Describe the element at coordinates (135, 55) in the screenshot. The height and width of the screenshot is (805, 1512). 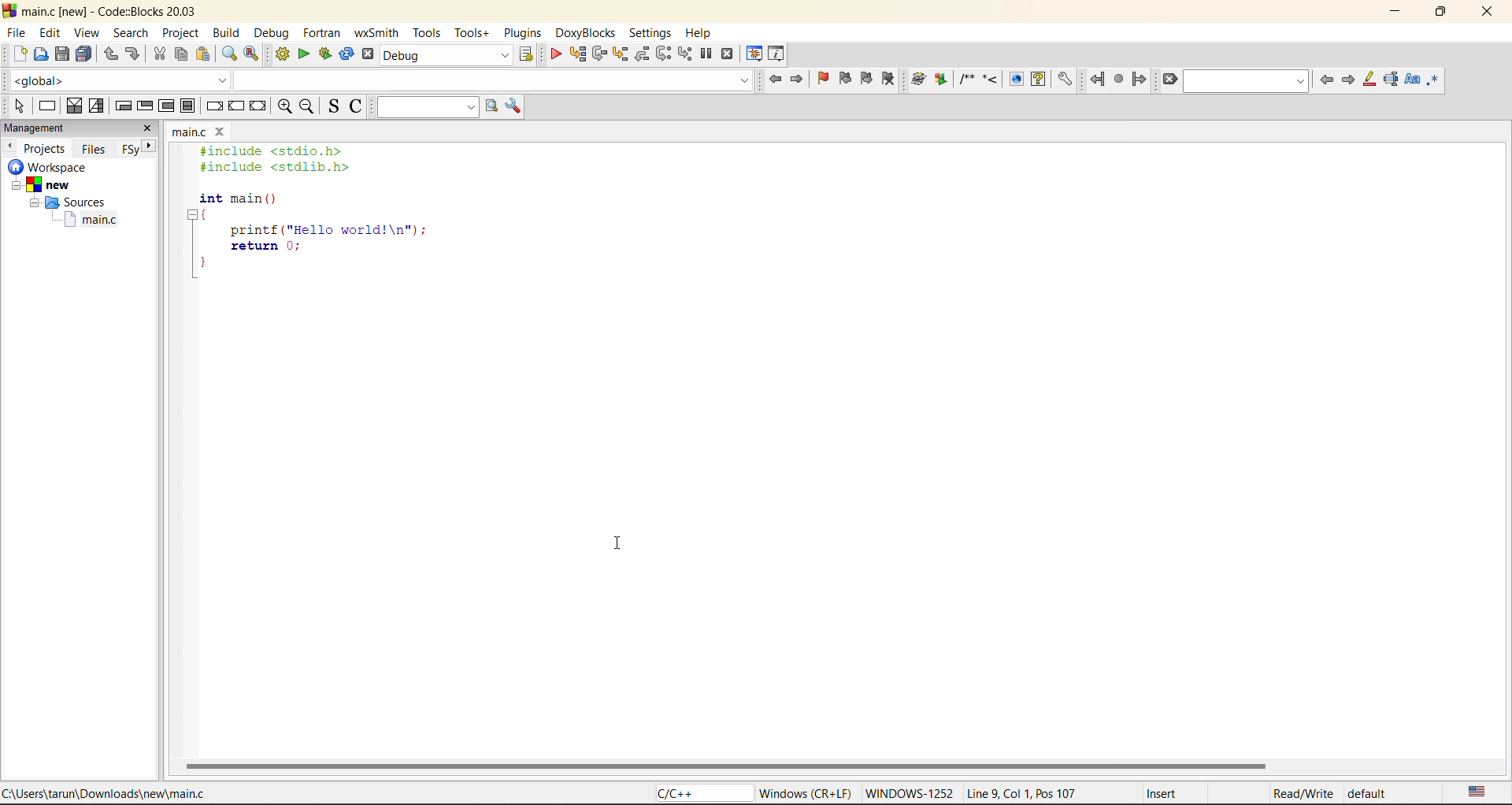
I see `redo` at that location.